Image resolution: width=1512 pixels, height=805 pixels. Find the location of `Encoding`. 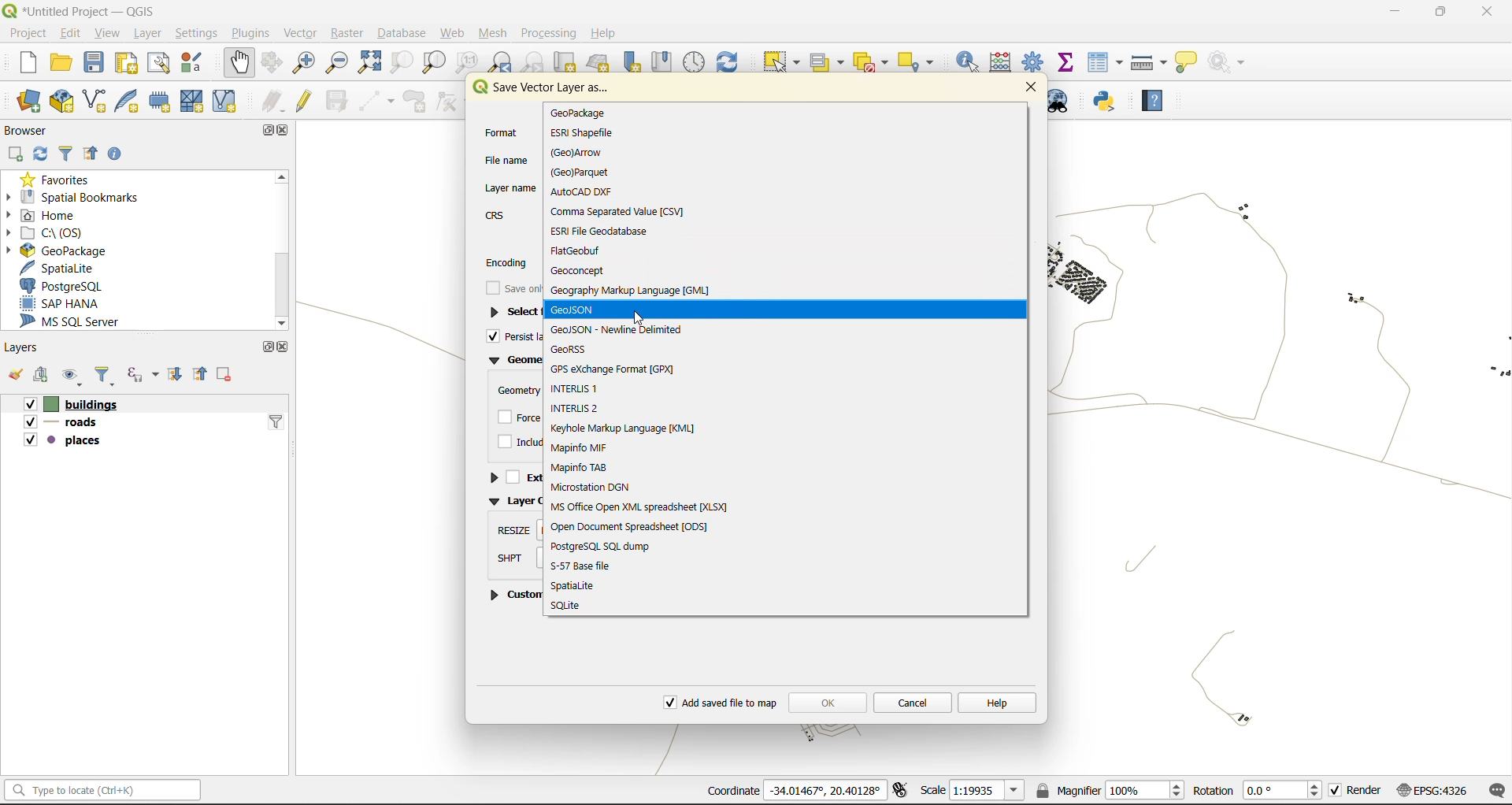

Encoding is located at coordinates (507, 262).